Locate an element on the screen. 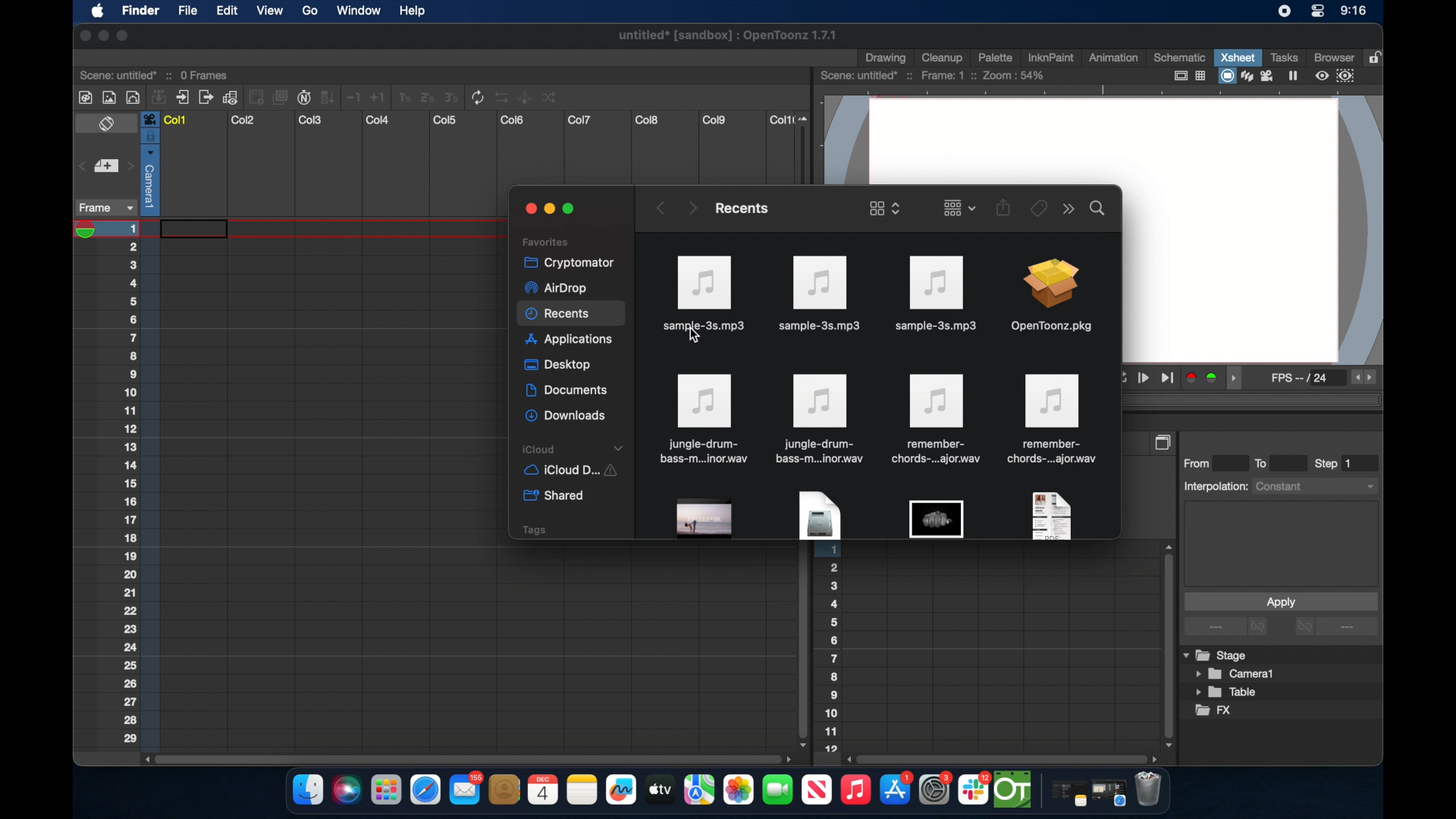 Image resolution: width=1456 pixels, height=819 pixels. maximize is located at coordinates (124, 36).